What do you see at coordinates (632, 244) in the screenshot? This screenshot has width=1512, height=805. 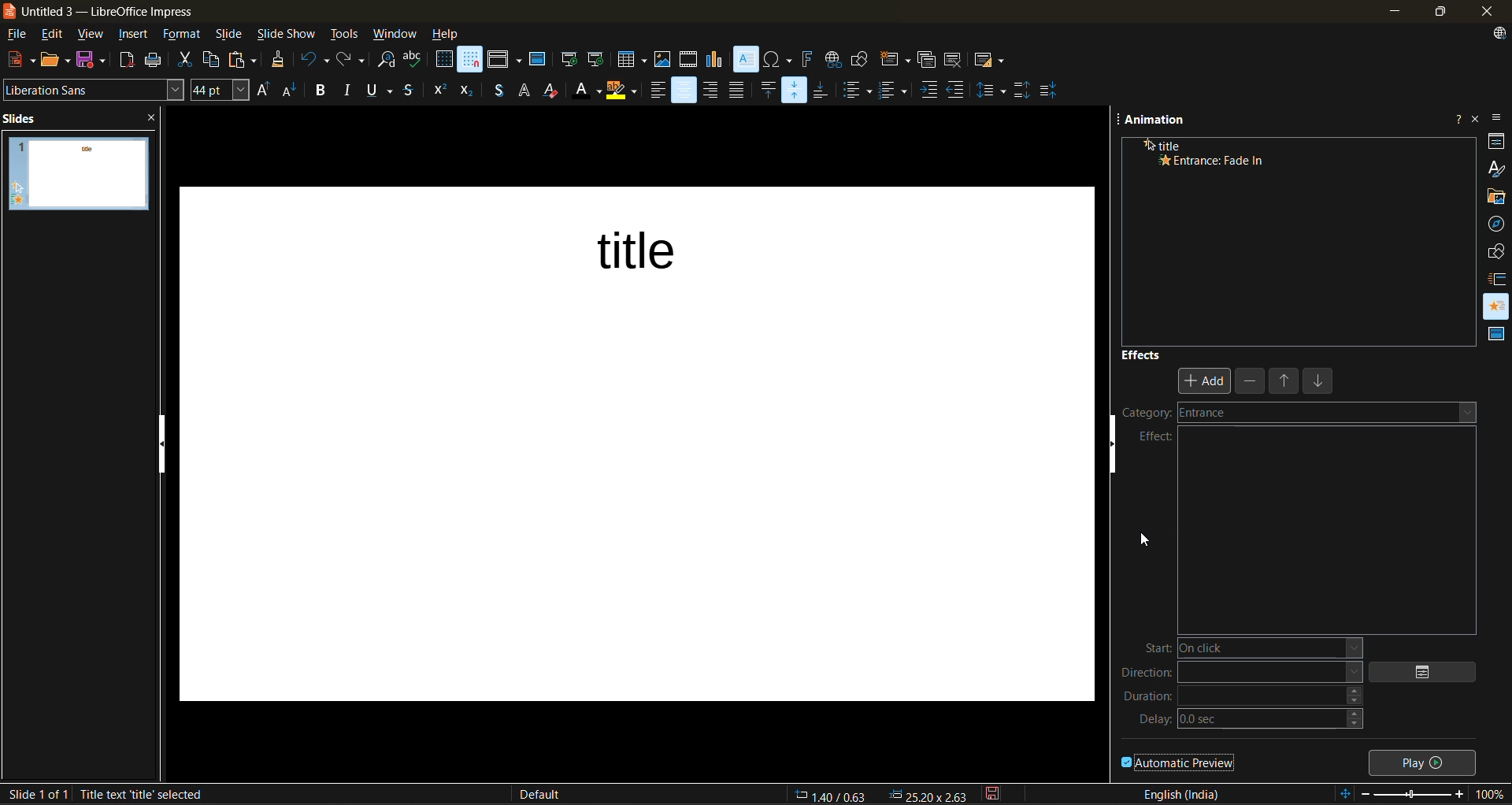 I see `title` at bounding box center [632, 244].